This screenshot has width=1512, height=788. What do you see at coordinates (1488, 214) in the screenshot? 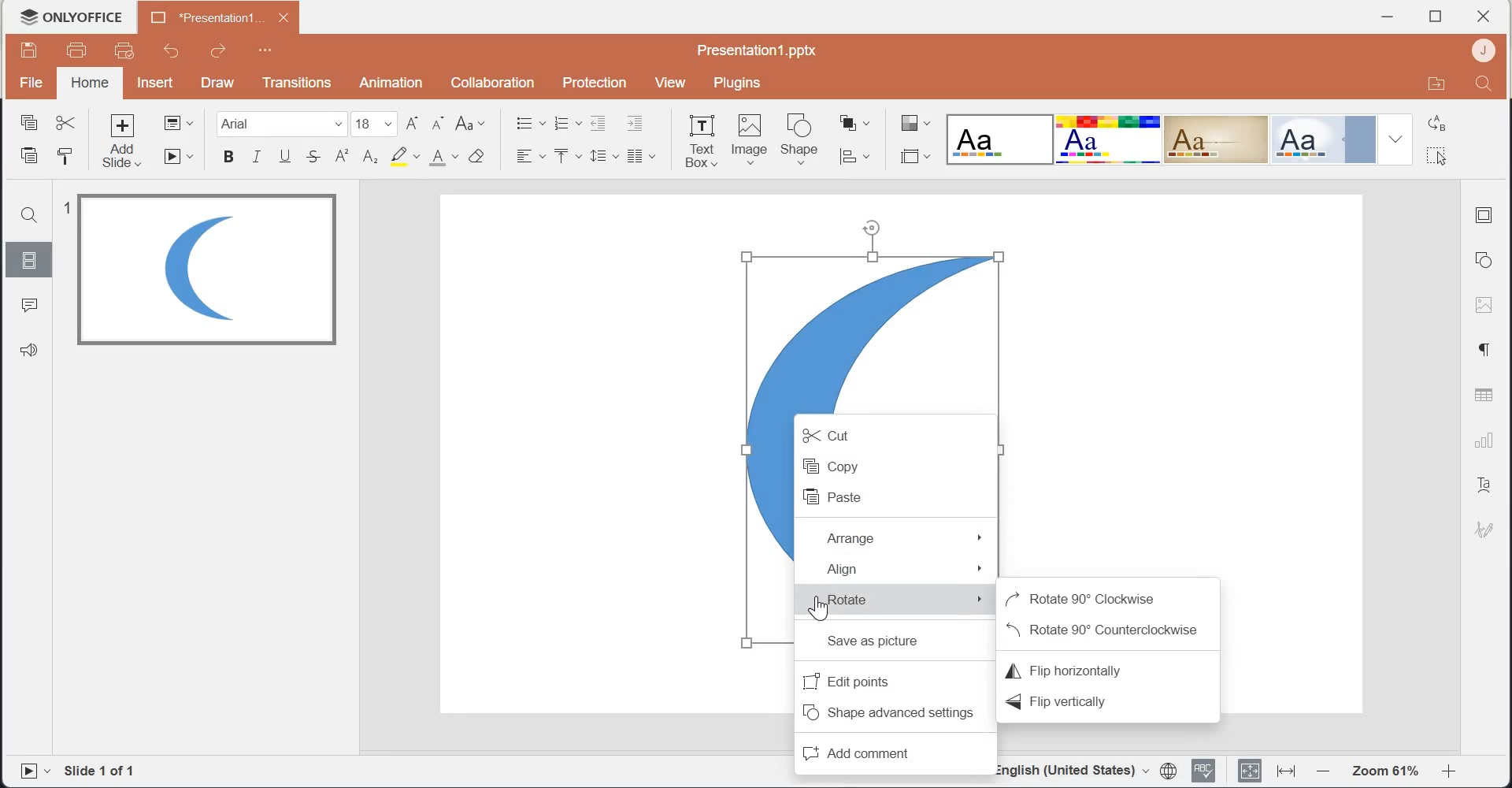
I see `Slide settings` at bounding box center [1488, 214].